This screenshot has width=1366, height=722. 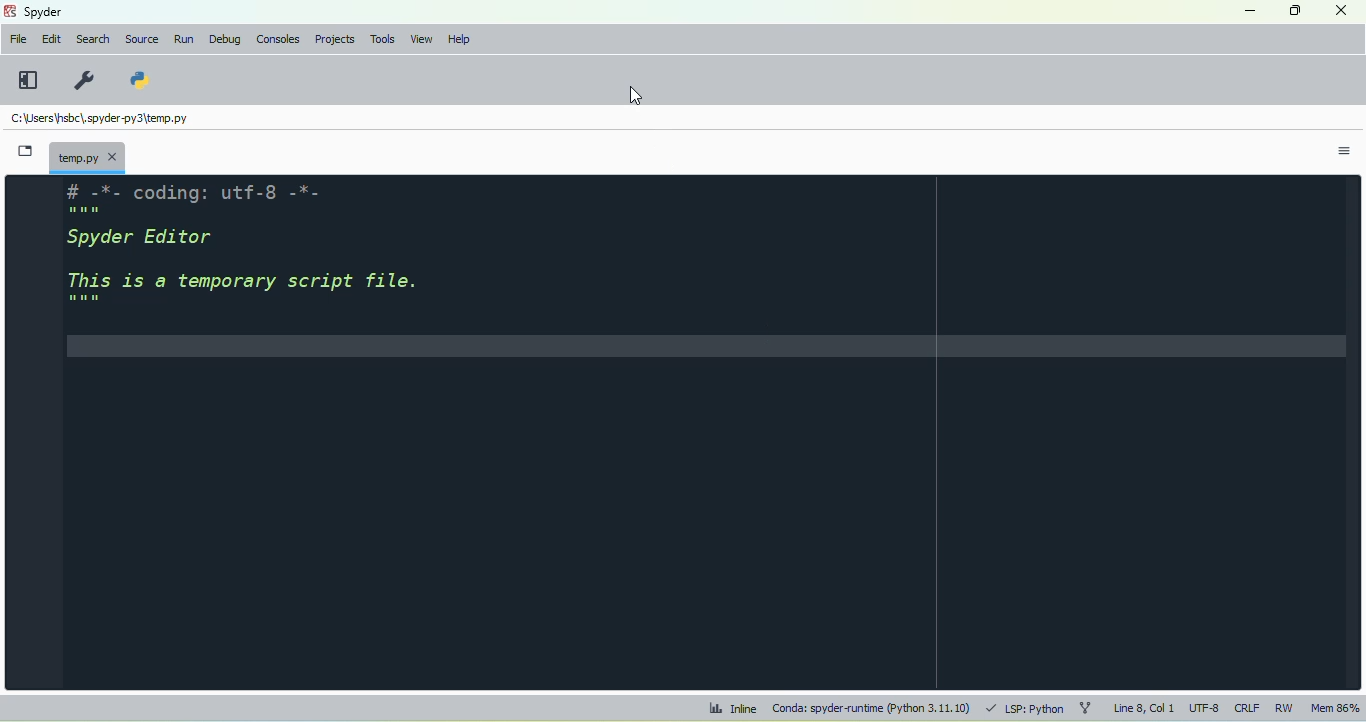 I want to click on UTF-8, so click(x=1205, y=707).